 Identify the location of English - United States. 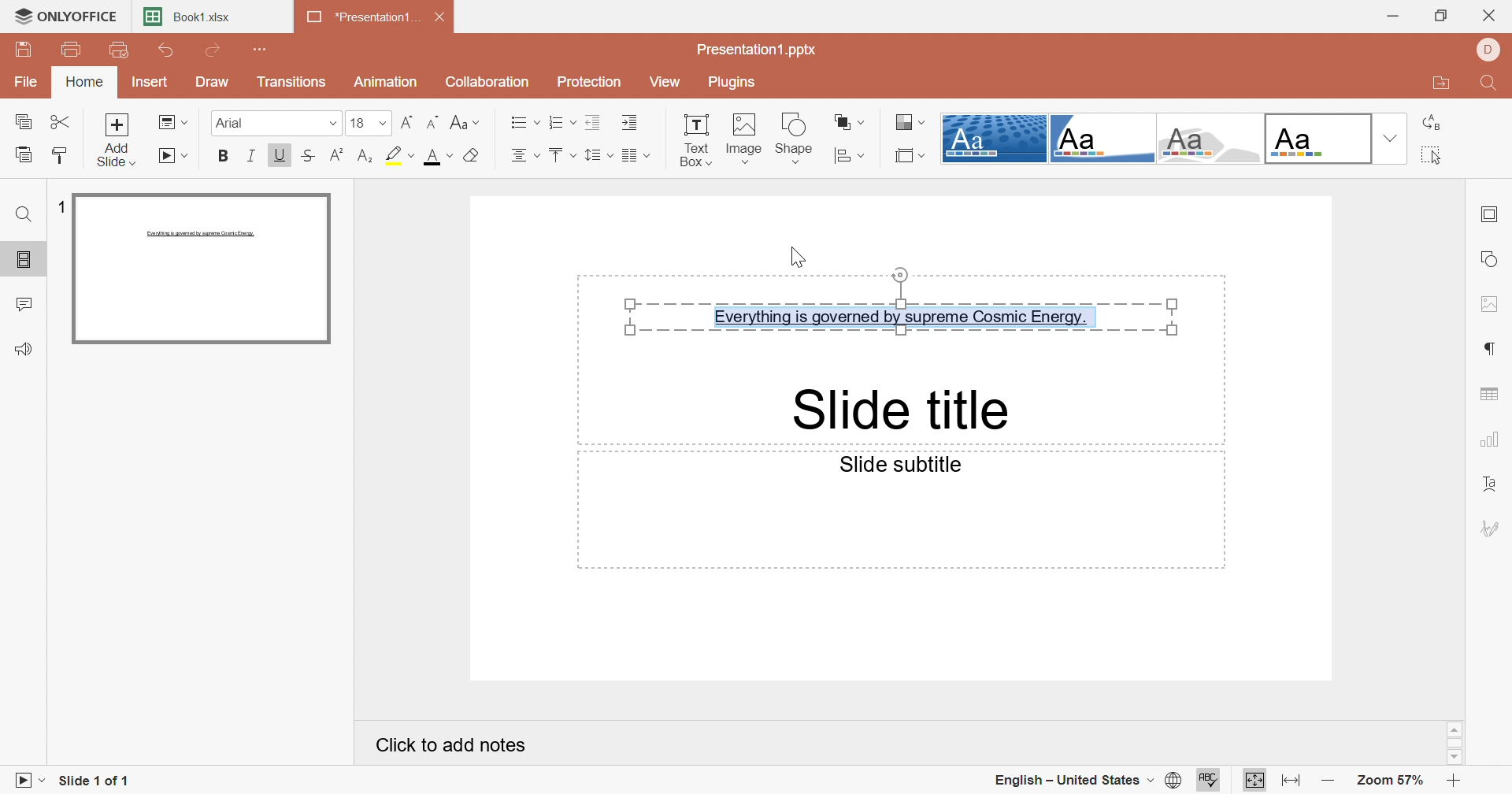
(1073, 780).